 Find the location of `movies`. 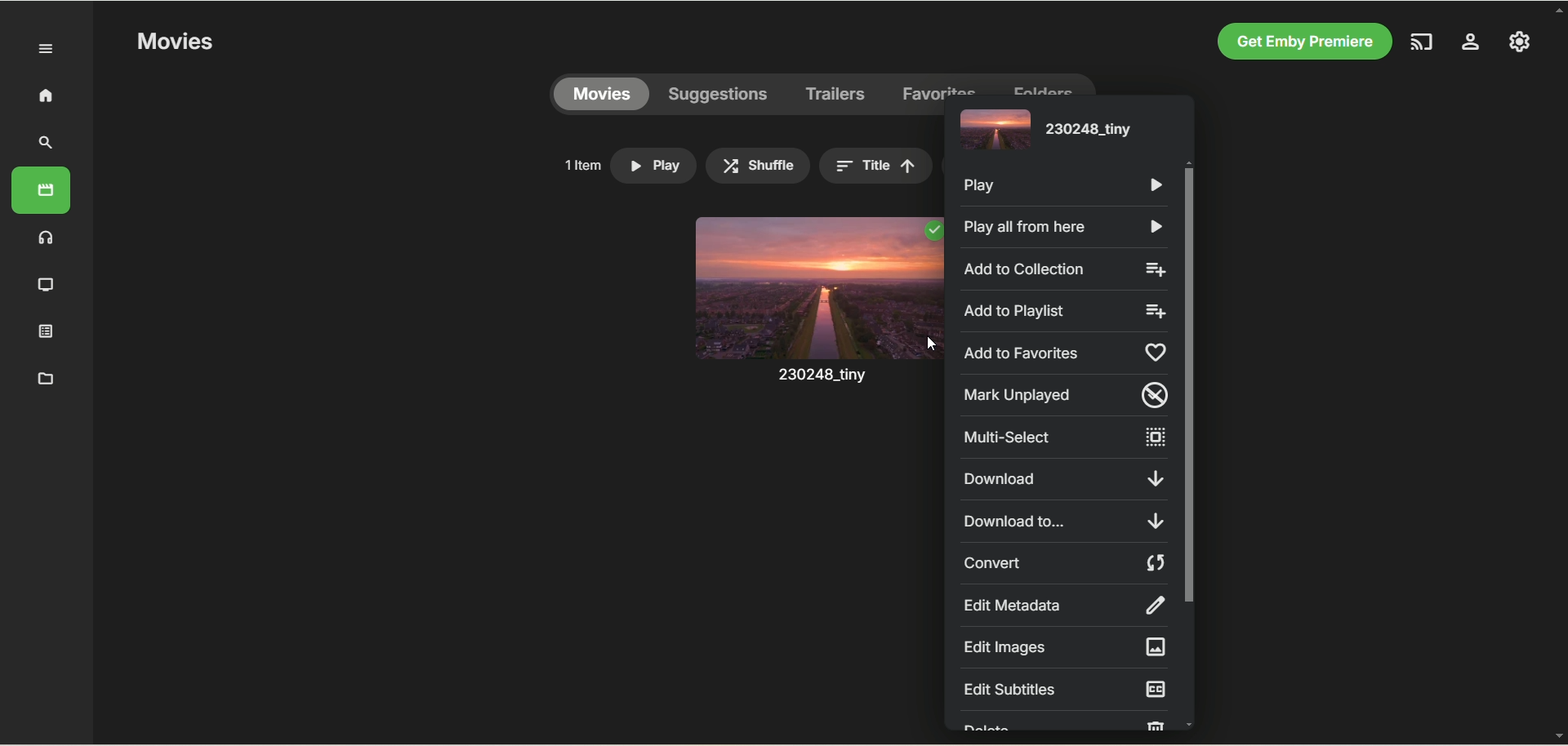

movies is located at coordinates (41, 190).